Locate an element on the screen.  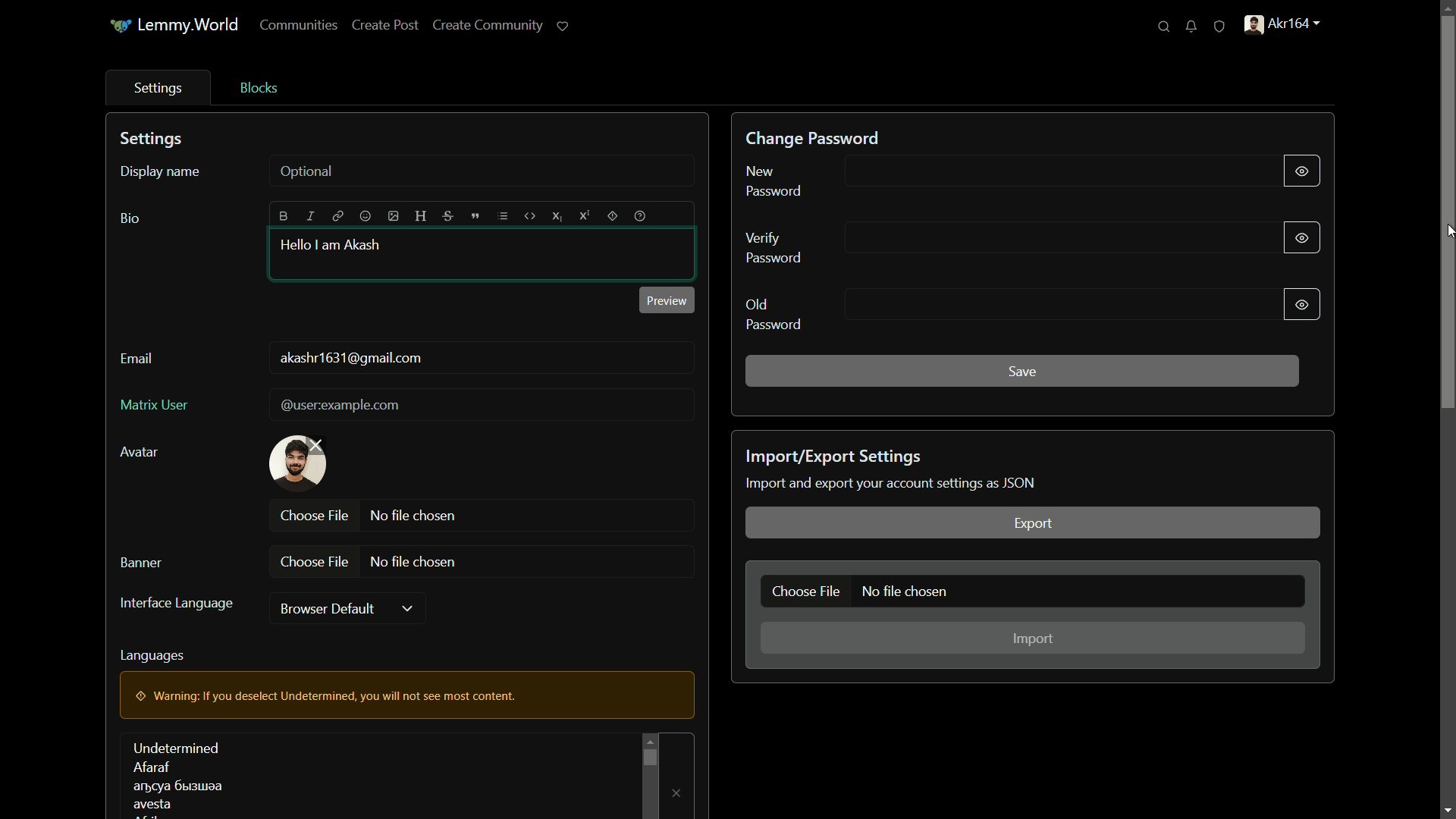
text is located at coordinates (896, 482).